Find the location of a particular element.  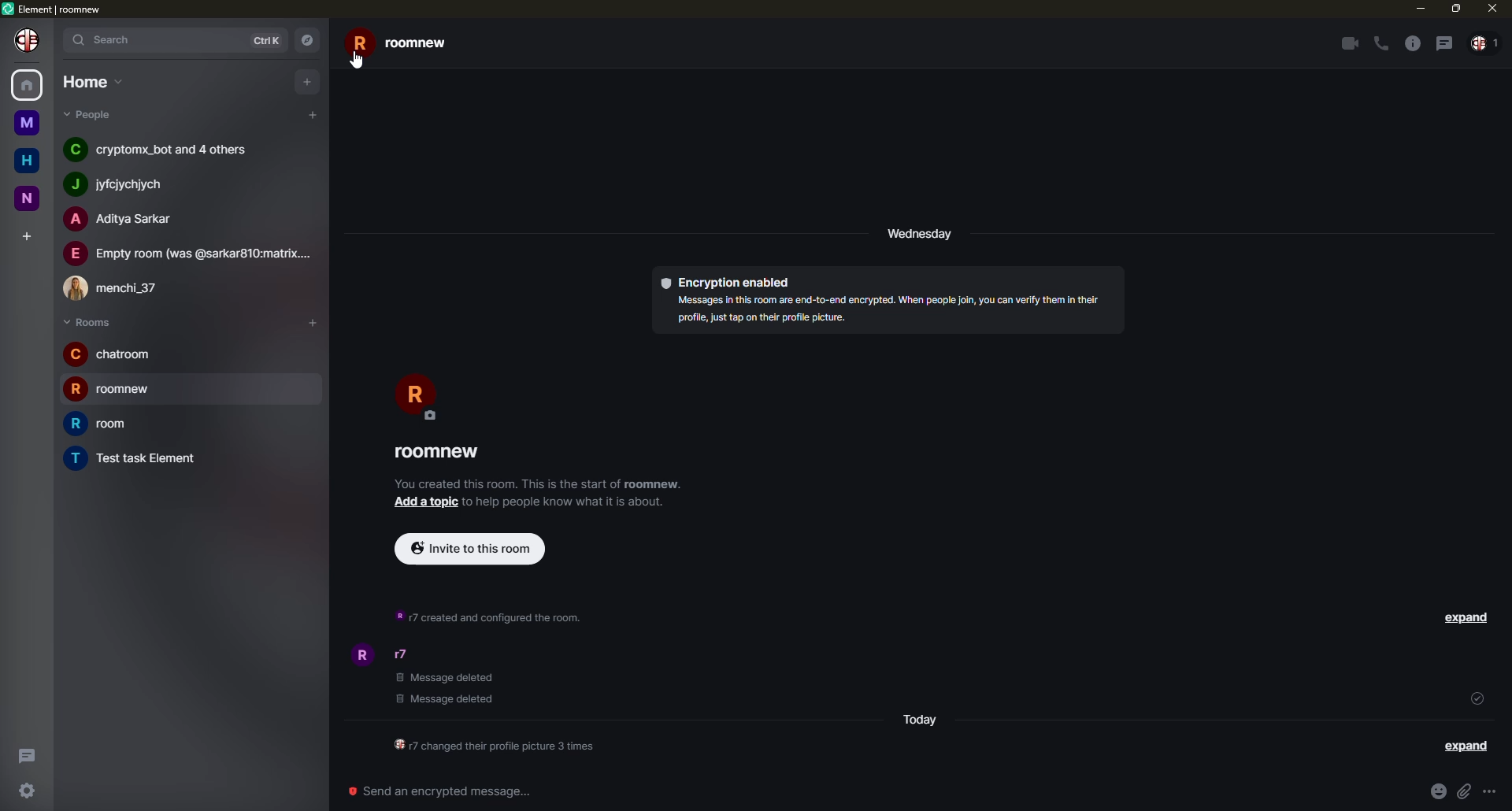

sent is located at coordinates (1477, 698).